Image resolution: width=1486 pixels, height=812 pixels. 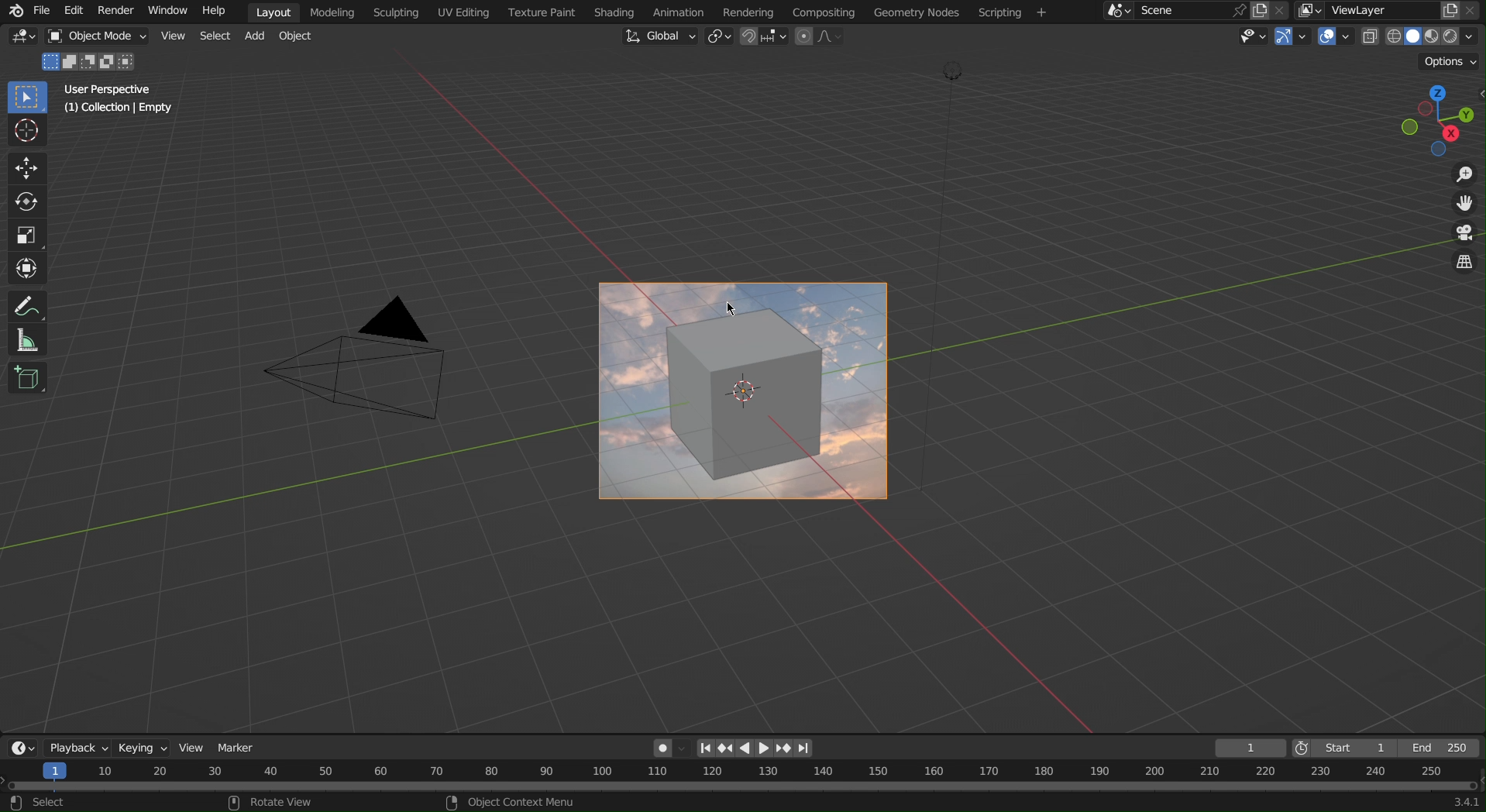 I want to click on Help, so click(x=213, y=12).